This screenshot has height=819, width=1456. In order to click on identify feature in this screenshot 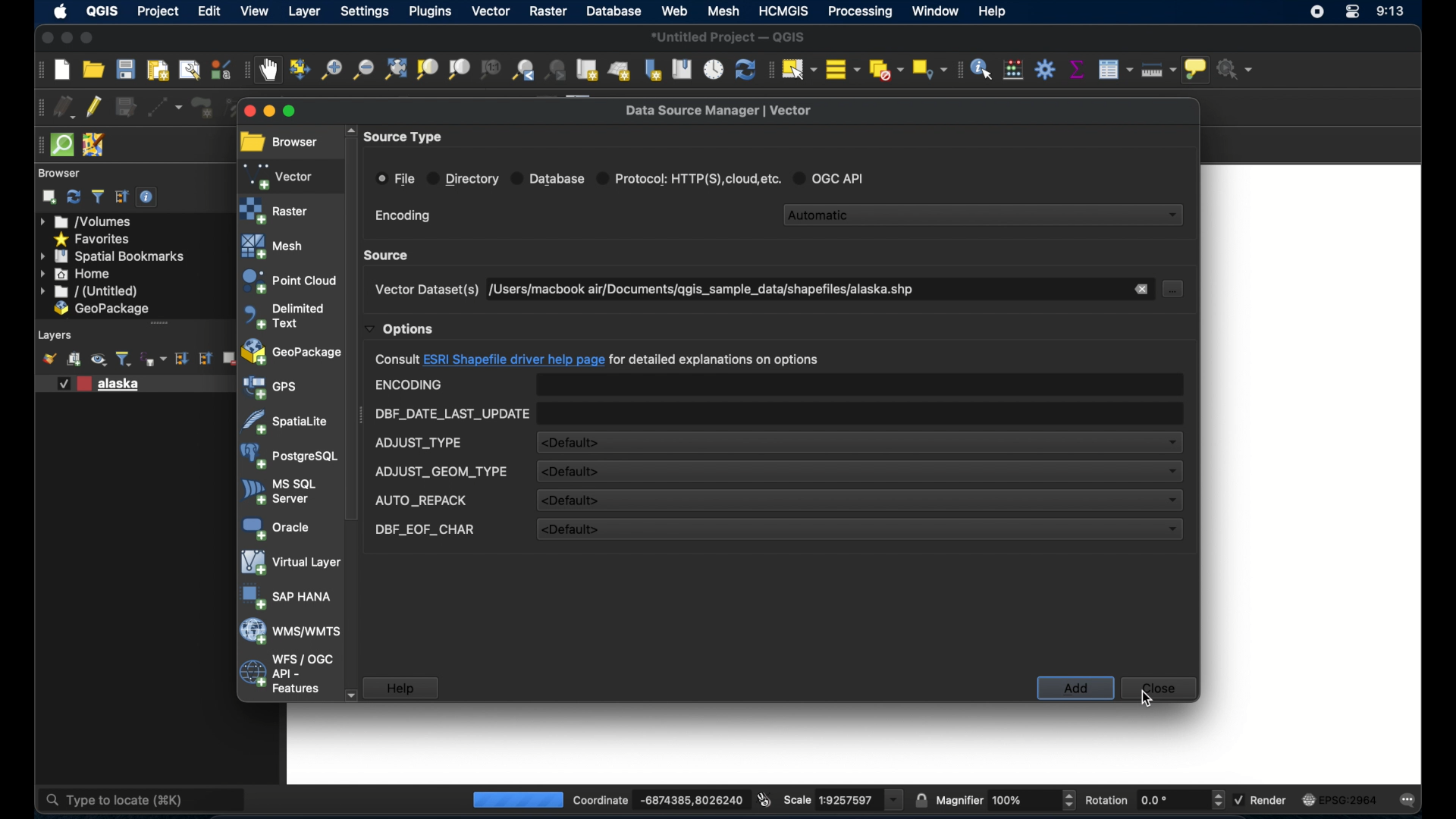, I will do `click(981, 69)`.